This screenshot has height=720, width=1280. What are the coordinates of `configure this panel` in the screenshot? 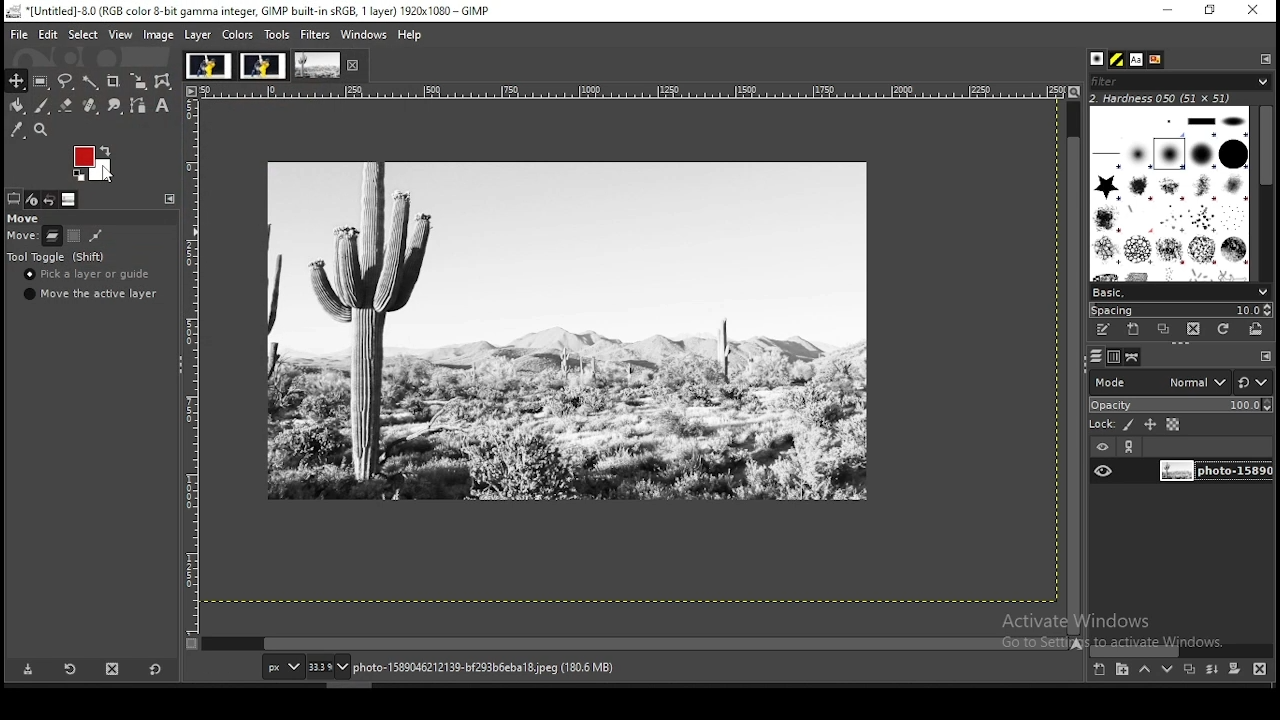 It's located at (170, 199).